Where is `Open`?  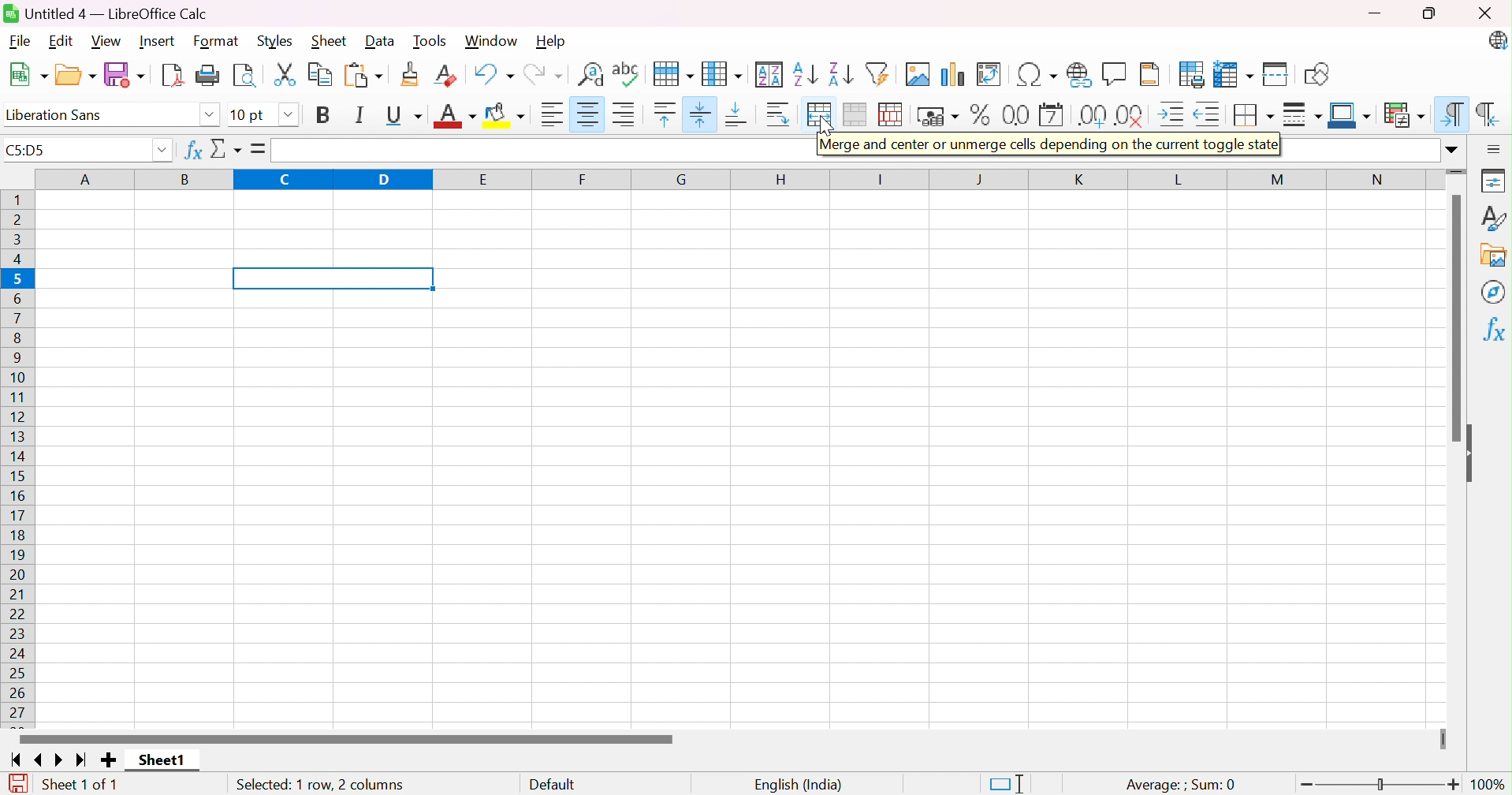
Open is located at coordinates (76, 74).